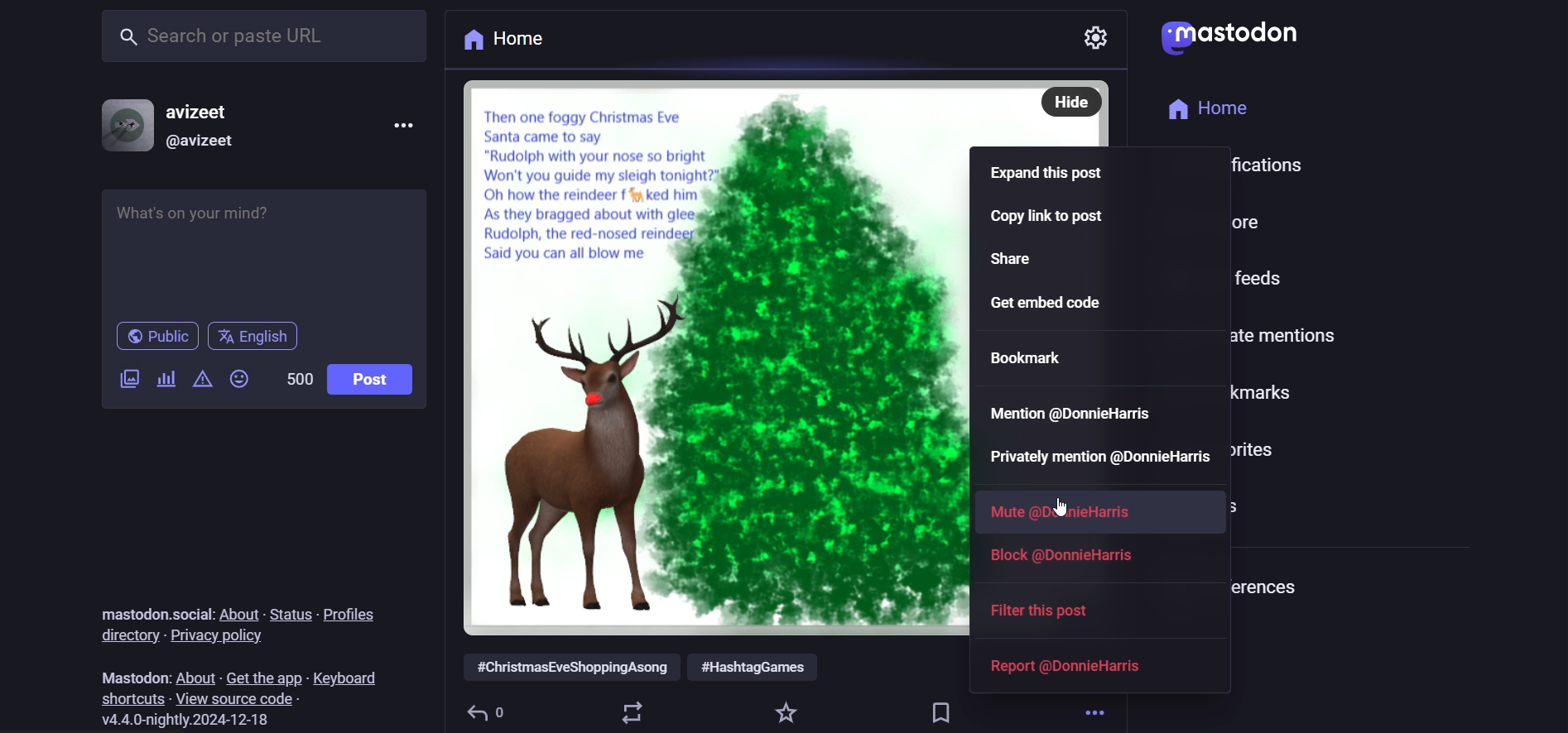  Describe the element at coordinates (297, 378) in the screenshot. I see `word limit` at that location.